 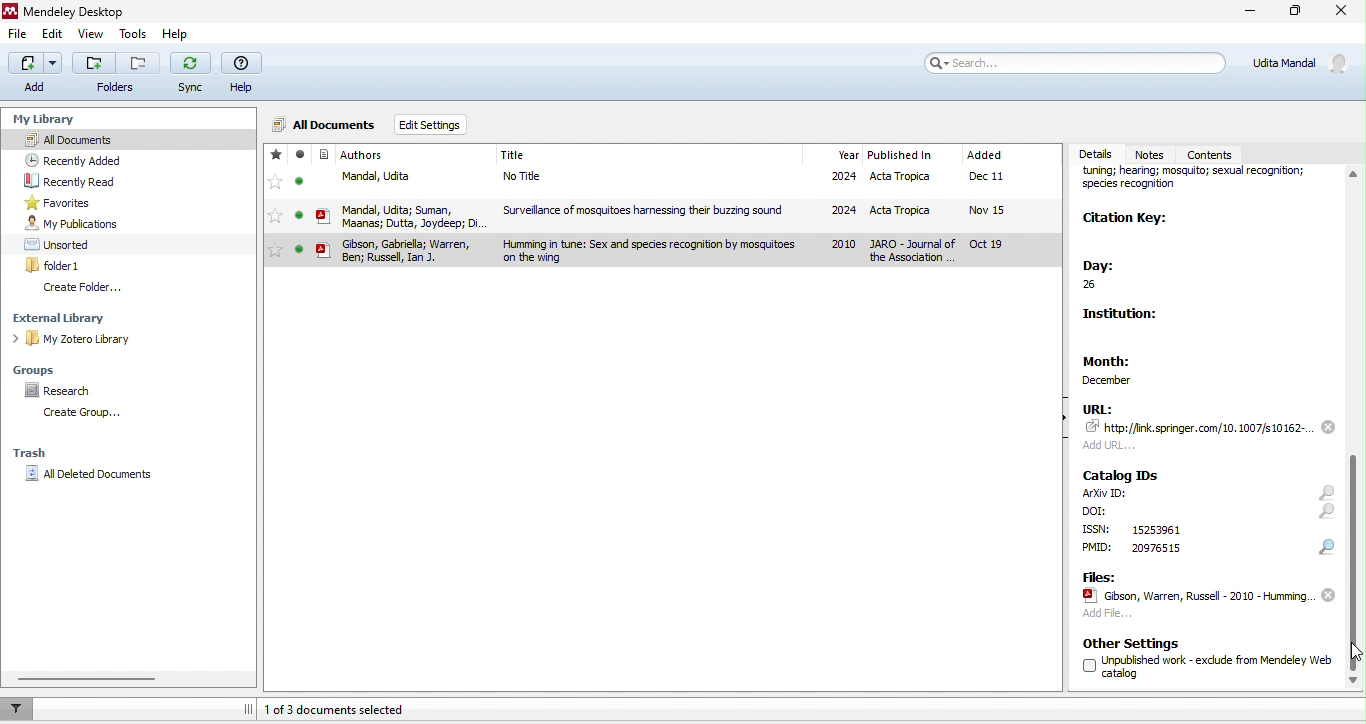 I want to click on file, so click(x=700, y=179).